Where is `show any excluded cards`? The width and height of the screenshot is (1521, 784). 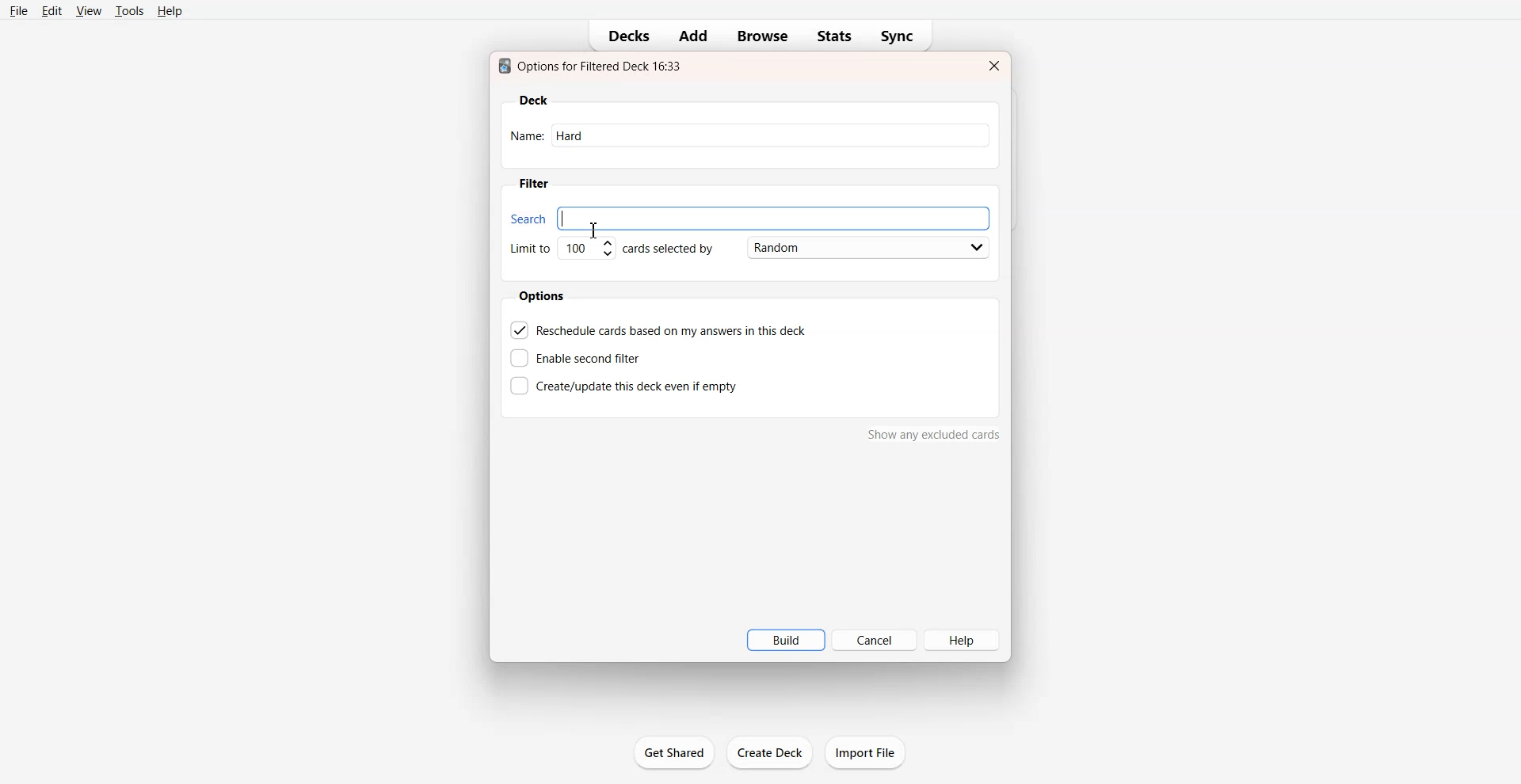
show any excluded cards is located at coordinates (934, 438).